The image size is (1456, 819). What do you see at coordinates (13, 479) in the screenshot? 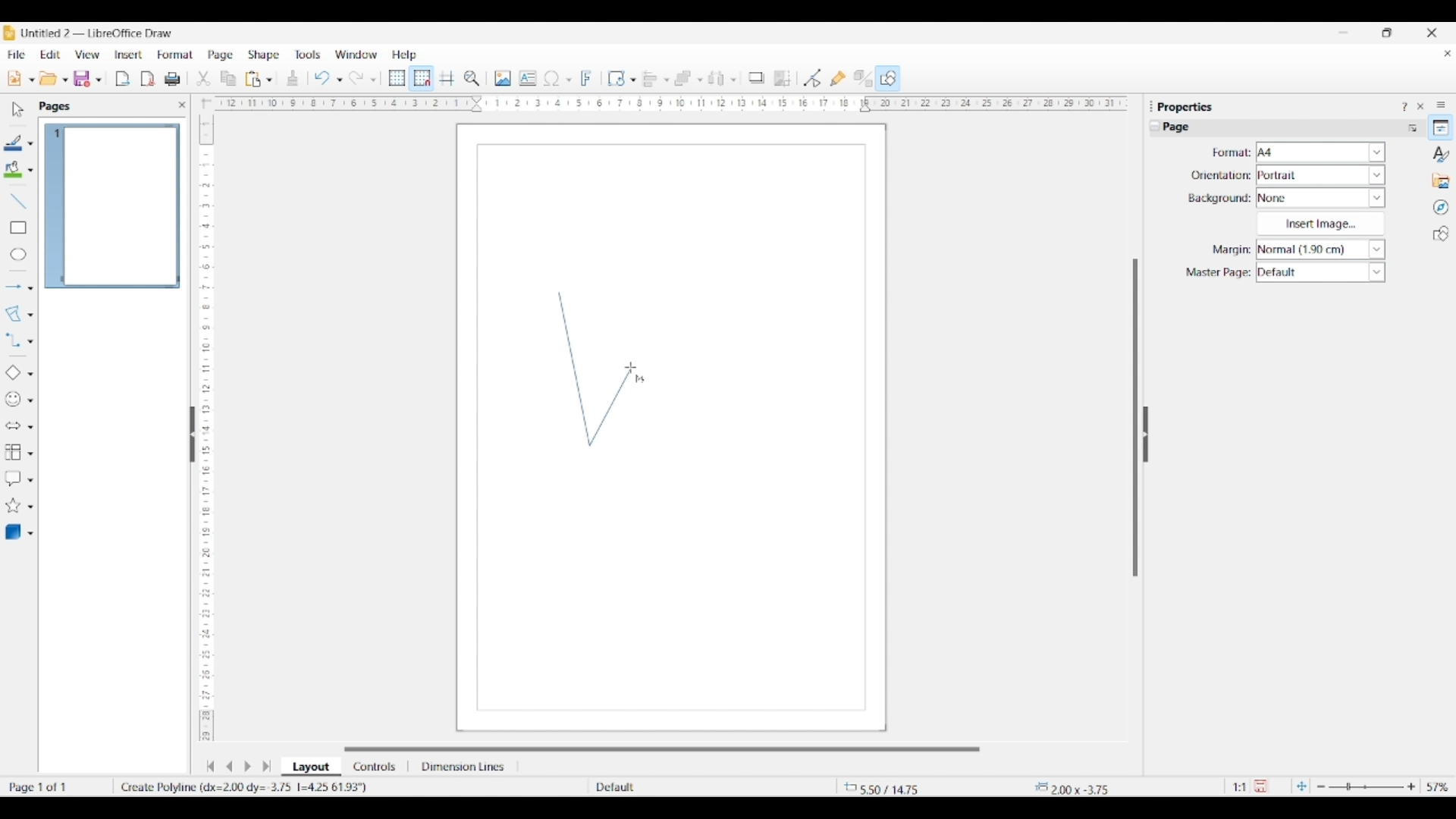
I see `Selected callout shape` at bounding box center [13, 479].